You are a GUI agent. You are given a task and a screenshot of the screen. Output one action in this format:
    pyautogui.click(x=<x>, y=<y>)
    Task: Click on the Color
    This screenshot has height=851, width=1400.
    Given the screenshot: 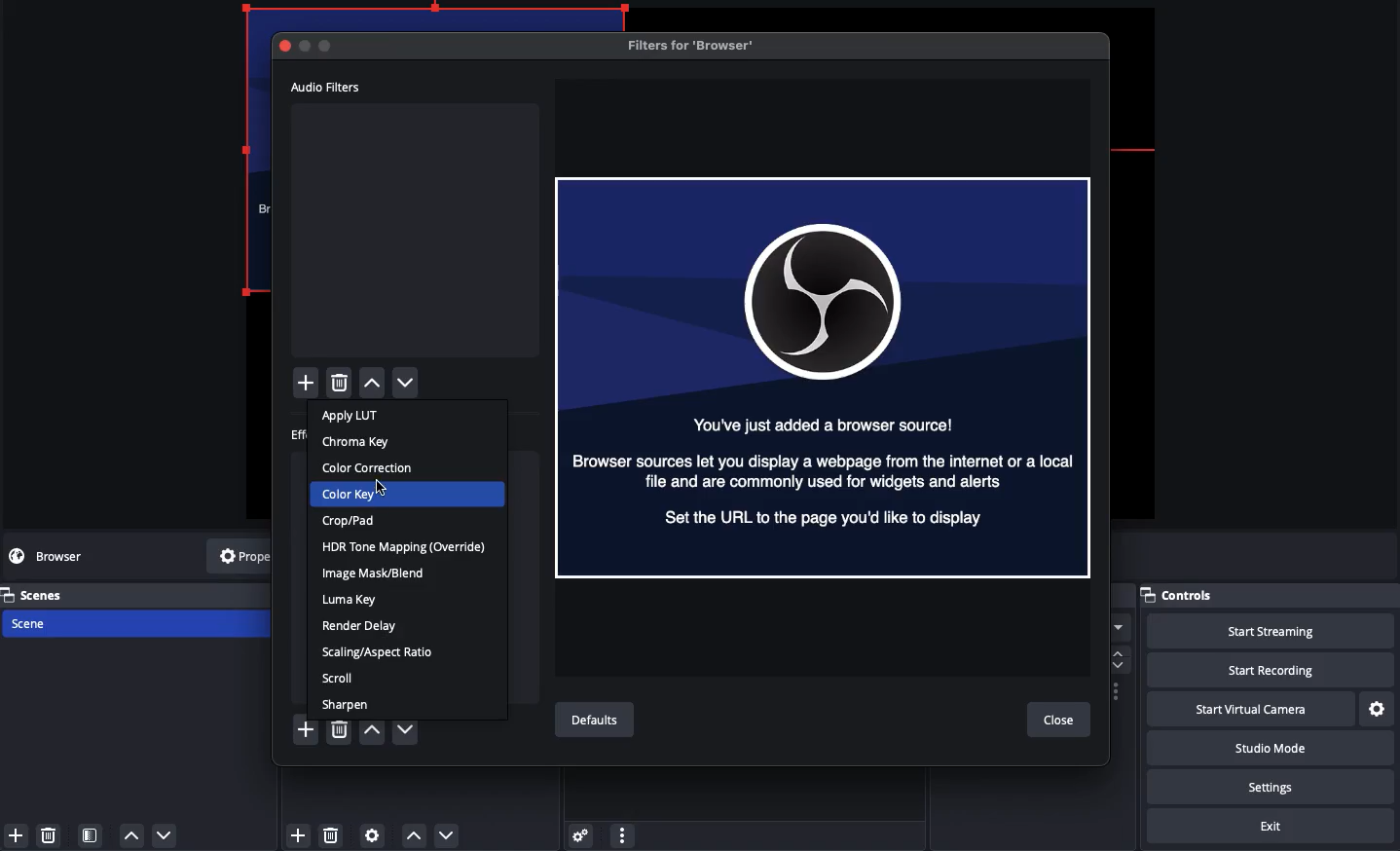 What is the action you would take?
    pyautogui.click(x=351, y=495)
    